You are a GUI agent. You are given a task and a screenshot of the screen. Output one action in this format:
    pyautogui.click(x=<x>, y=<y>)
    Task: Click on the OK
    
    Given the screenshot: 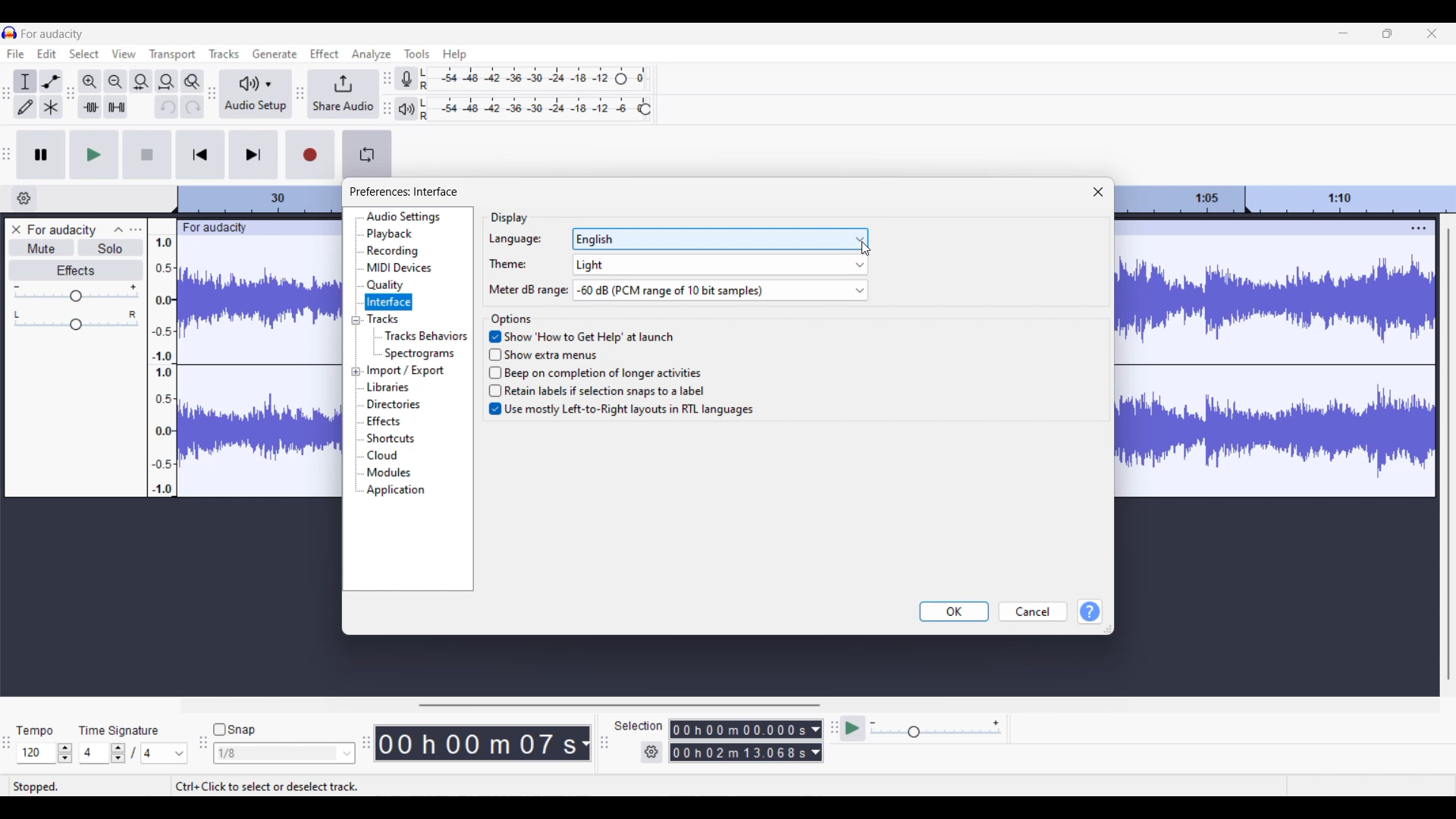 What is the action you would take?
    pyautogui.click(x=953, y=611)
    